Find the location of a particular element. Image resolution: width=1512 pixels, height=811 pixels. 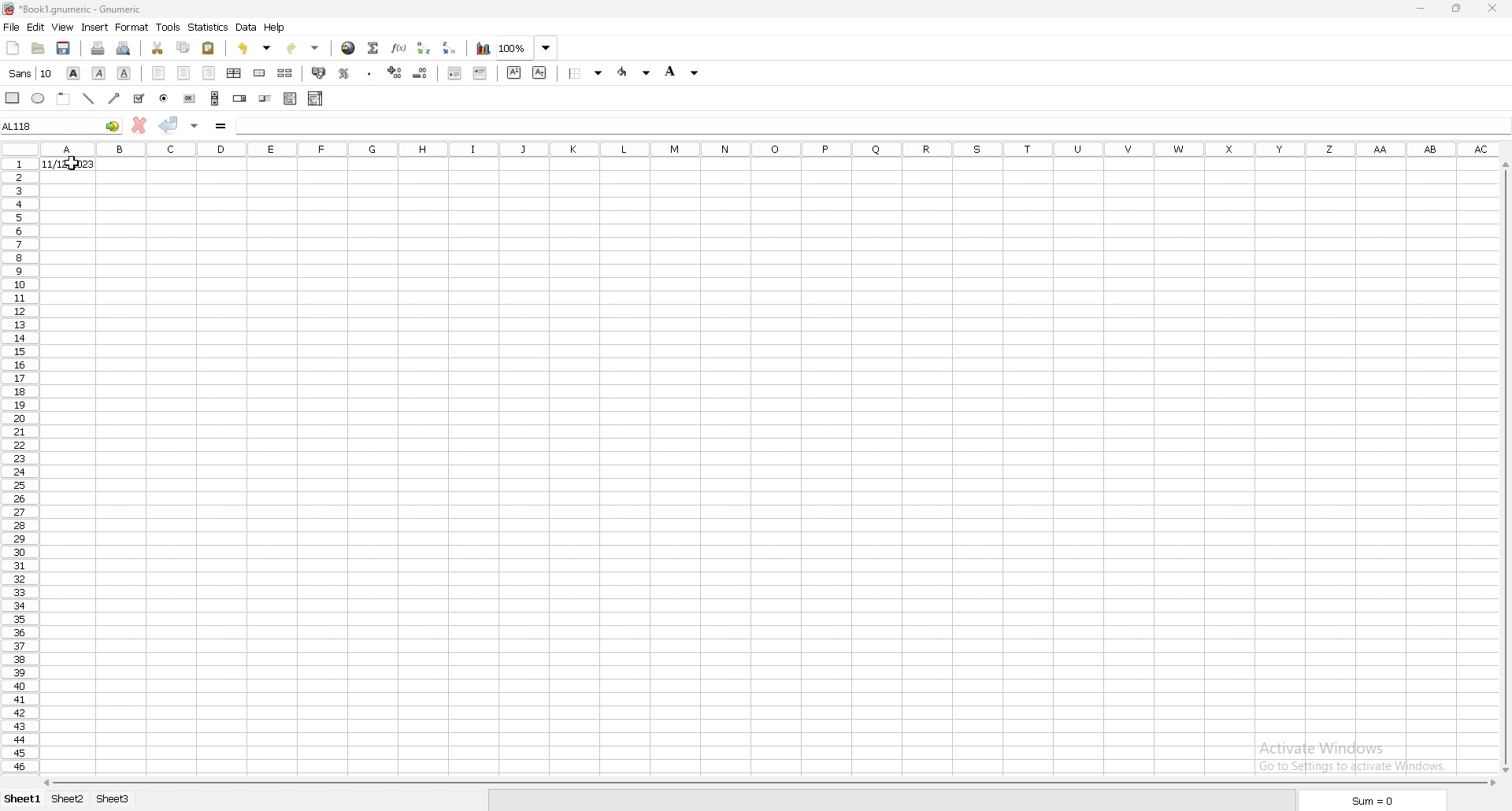

underline is located at coordinates (124, 73).